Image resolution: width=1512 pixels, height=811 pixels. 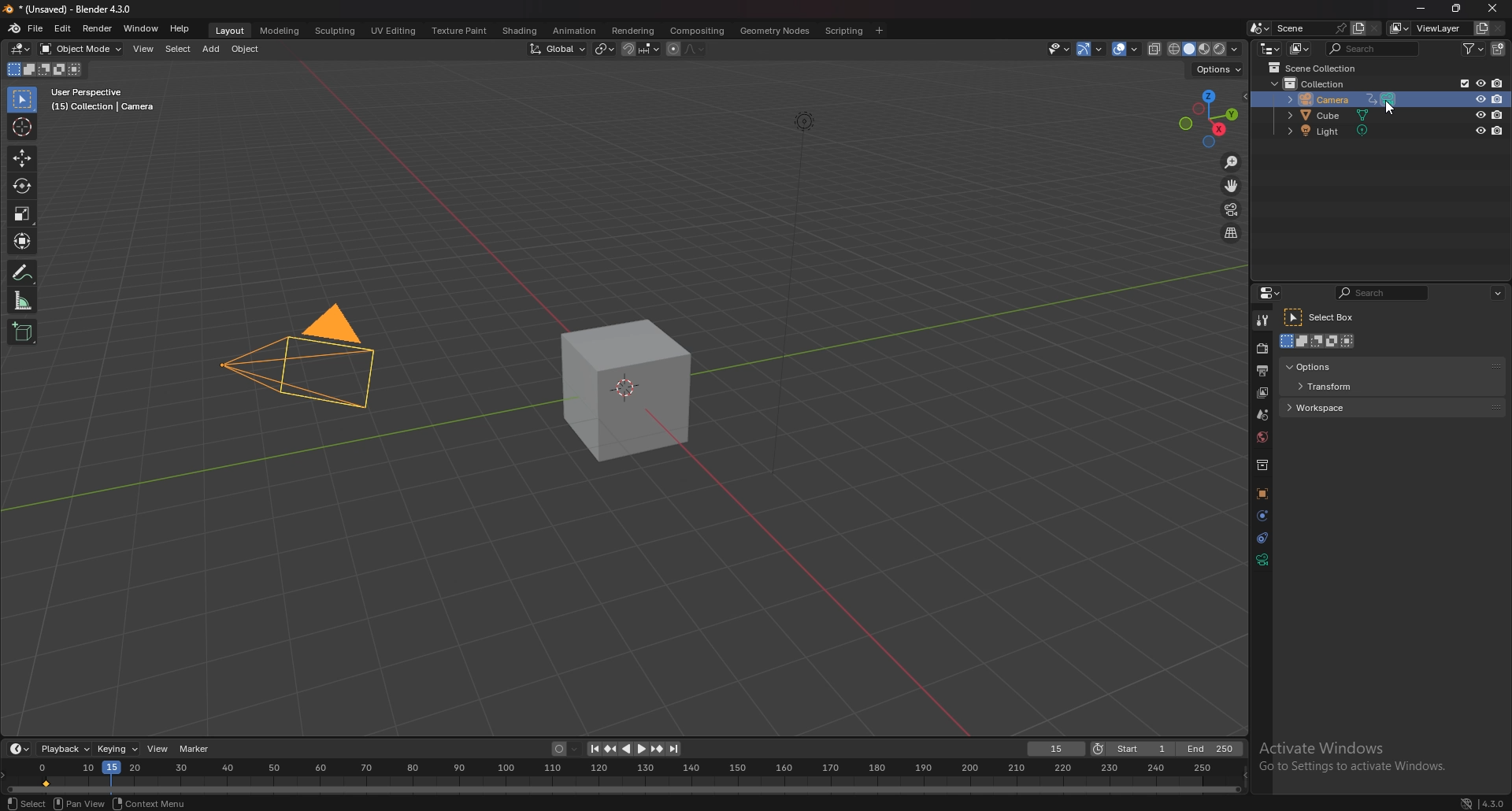 What do you see at coordinates (1058, 49) in the screenshot?
I see `selectibility and visibility` at bounding box center [1058, 49].